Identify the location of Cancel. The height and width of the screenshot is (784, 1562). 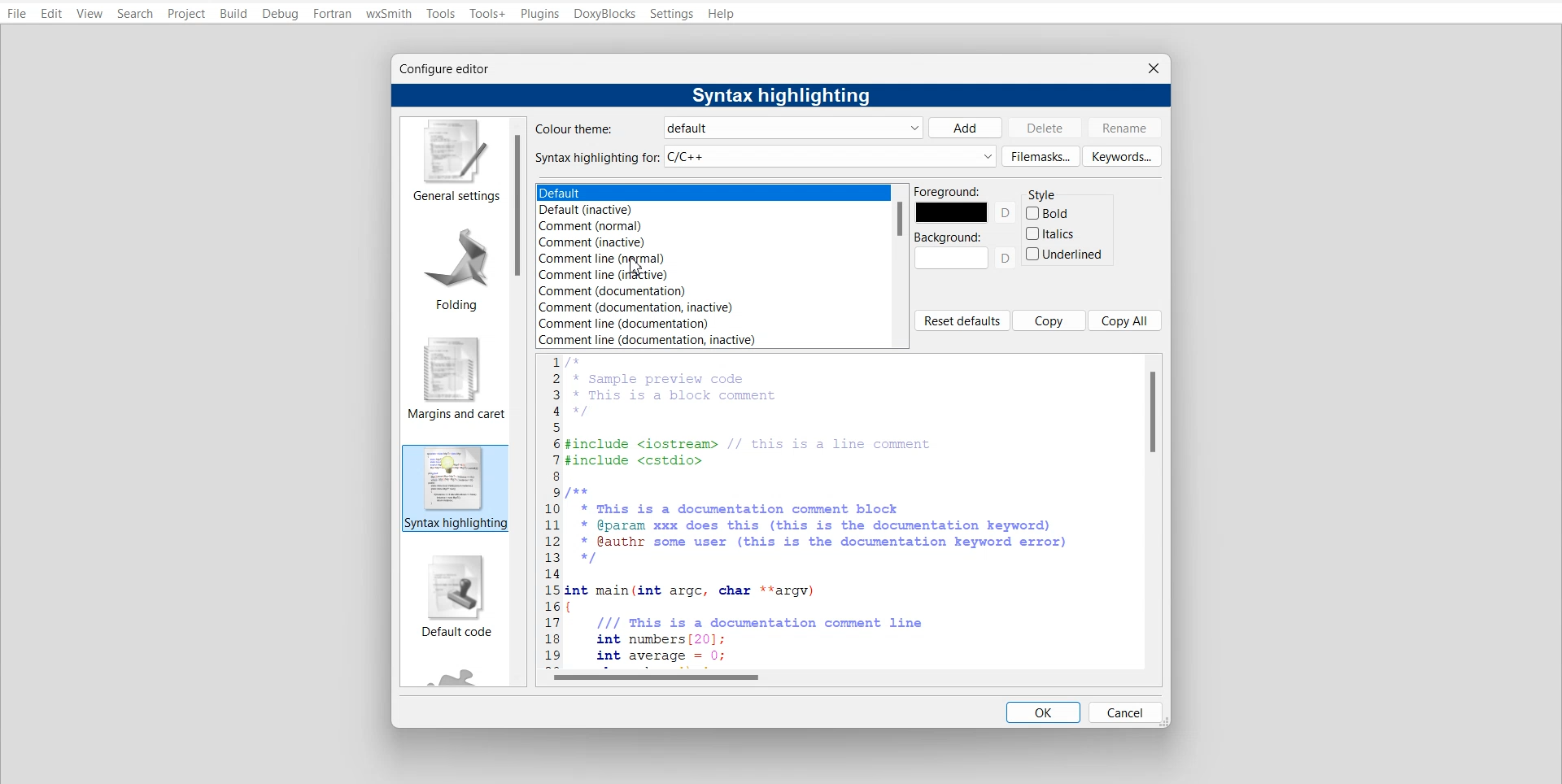
(1126, 712).